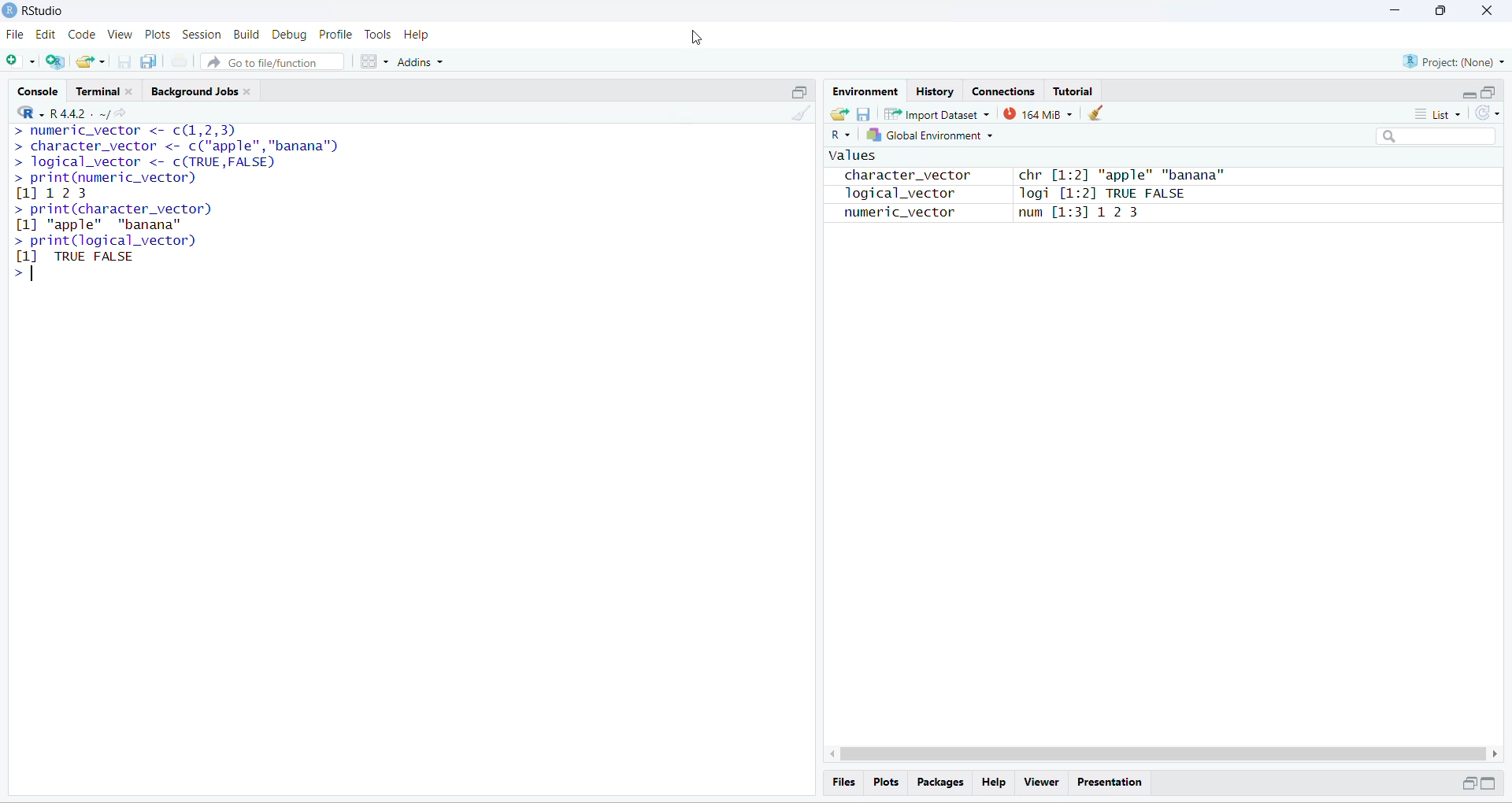 This screenshot has height=803, width=1512. I want to click on Project: (None), so click(1455, 61).